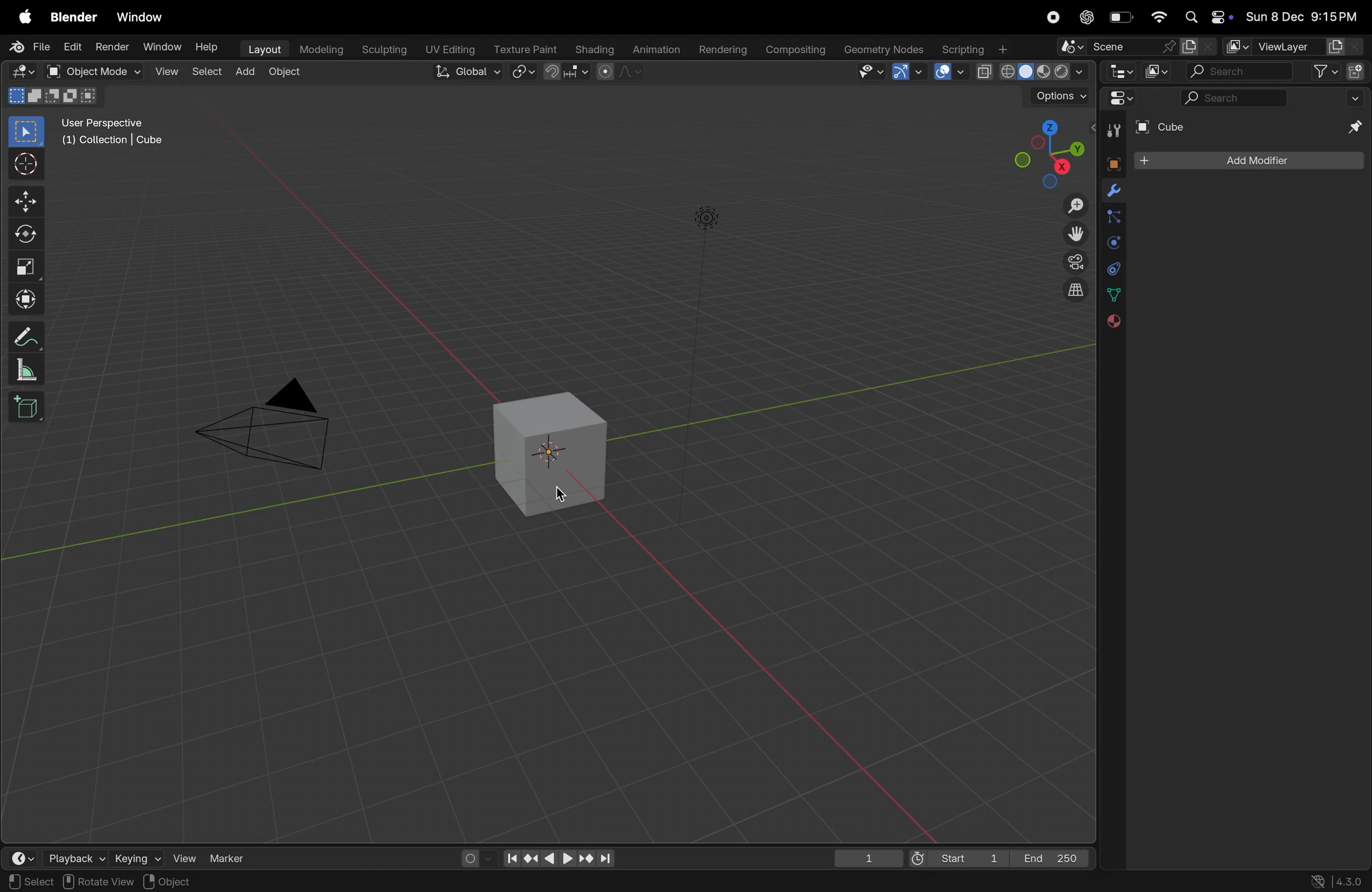 Image resolution: width=1372 pixels, height=892 pixels. I want to click on shading, so click(591, 47).